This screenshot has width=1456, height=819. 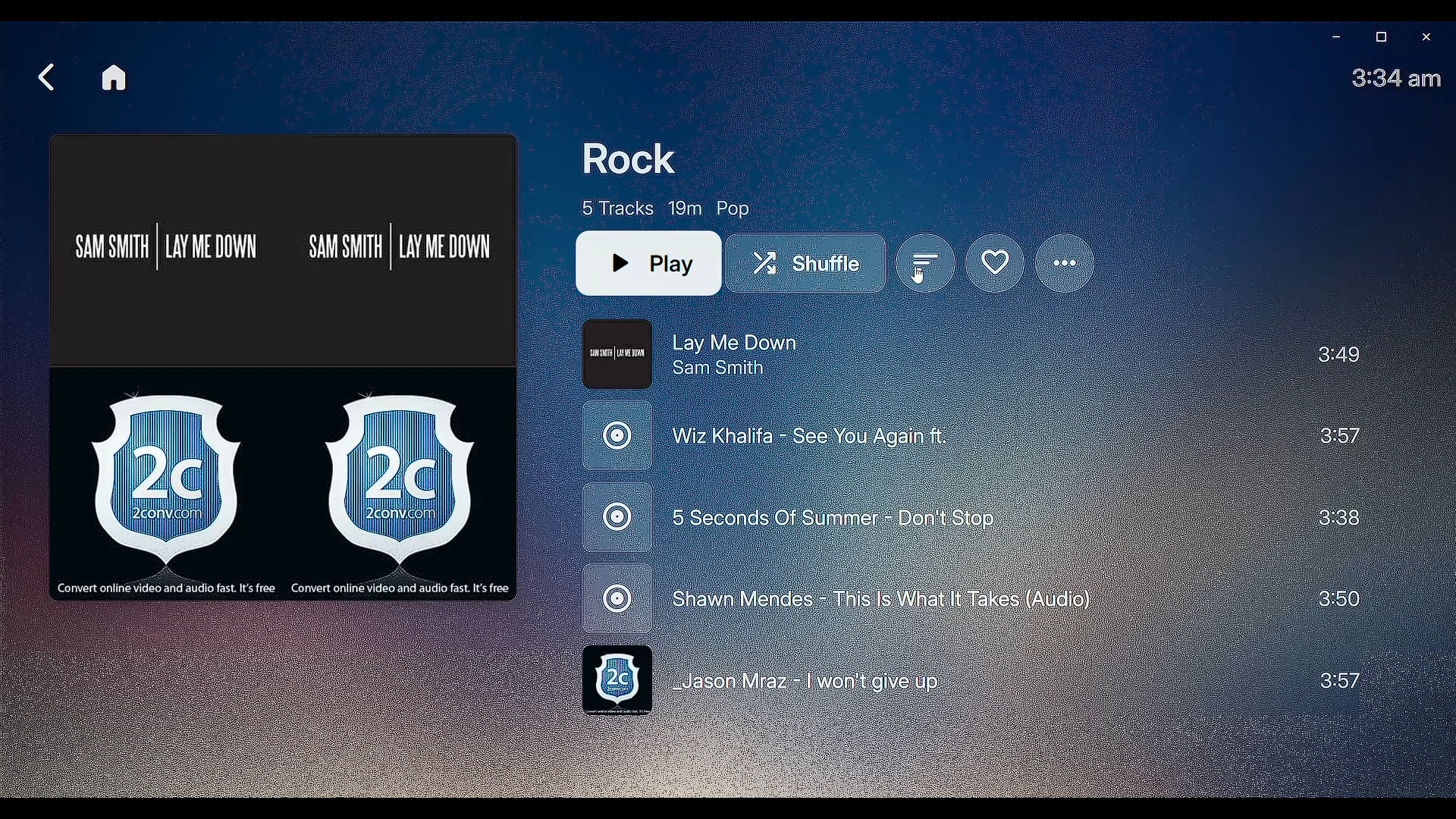 What do you see at coordinates (637, 158) in the screenshot?
I see `Rock` at bounding box center [637, 158].